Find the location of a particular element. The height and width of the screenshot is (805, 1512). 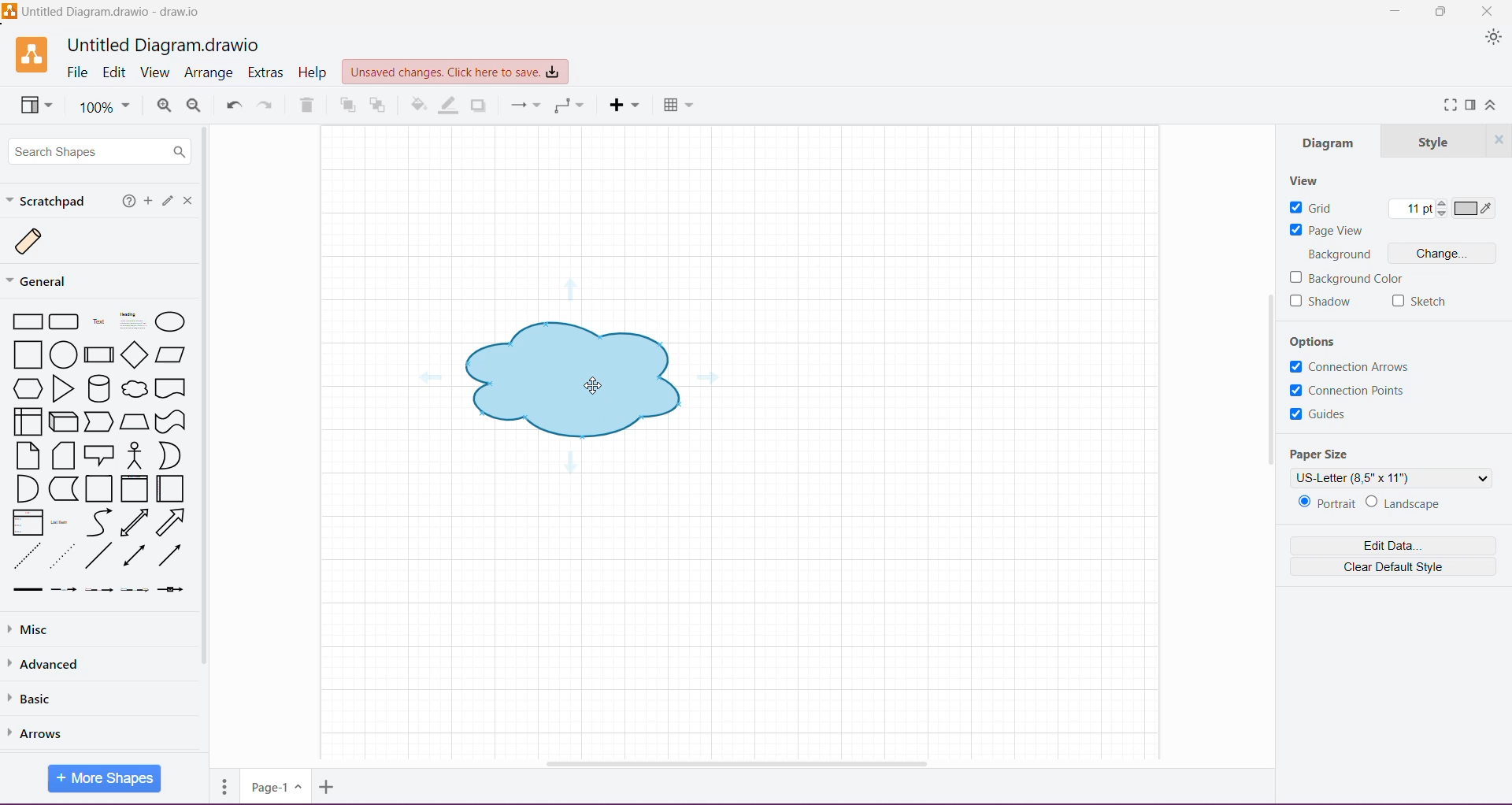

Arrows is located at coordinates (40, 734).